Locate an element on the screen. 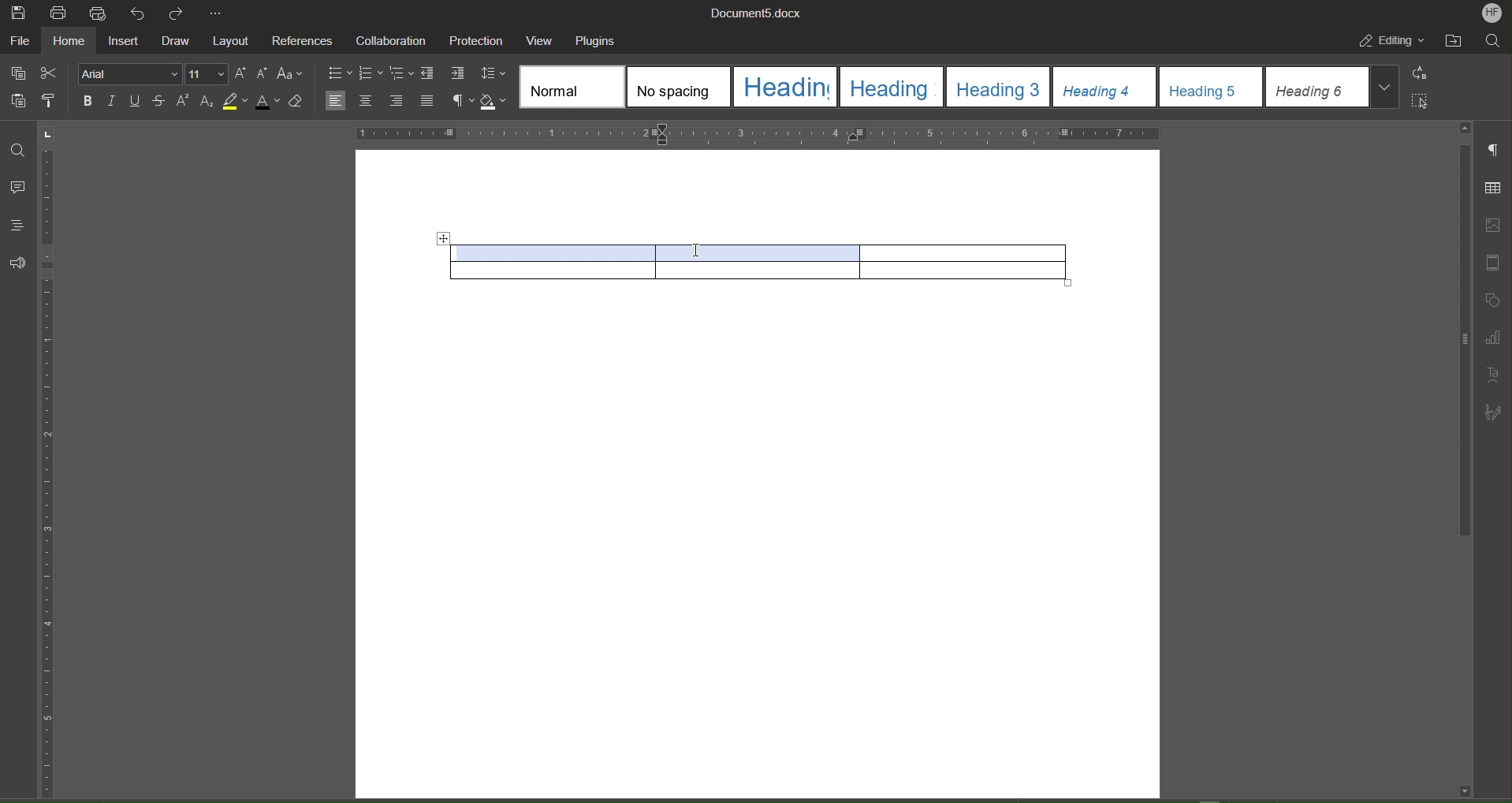 The height and width of the screenshot is (803, 1512). Horizontal Ruler is located at coordinates (757, 133).